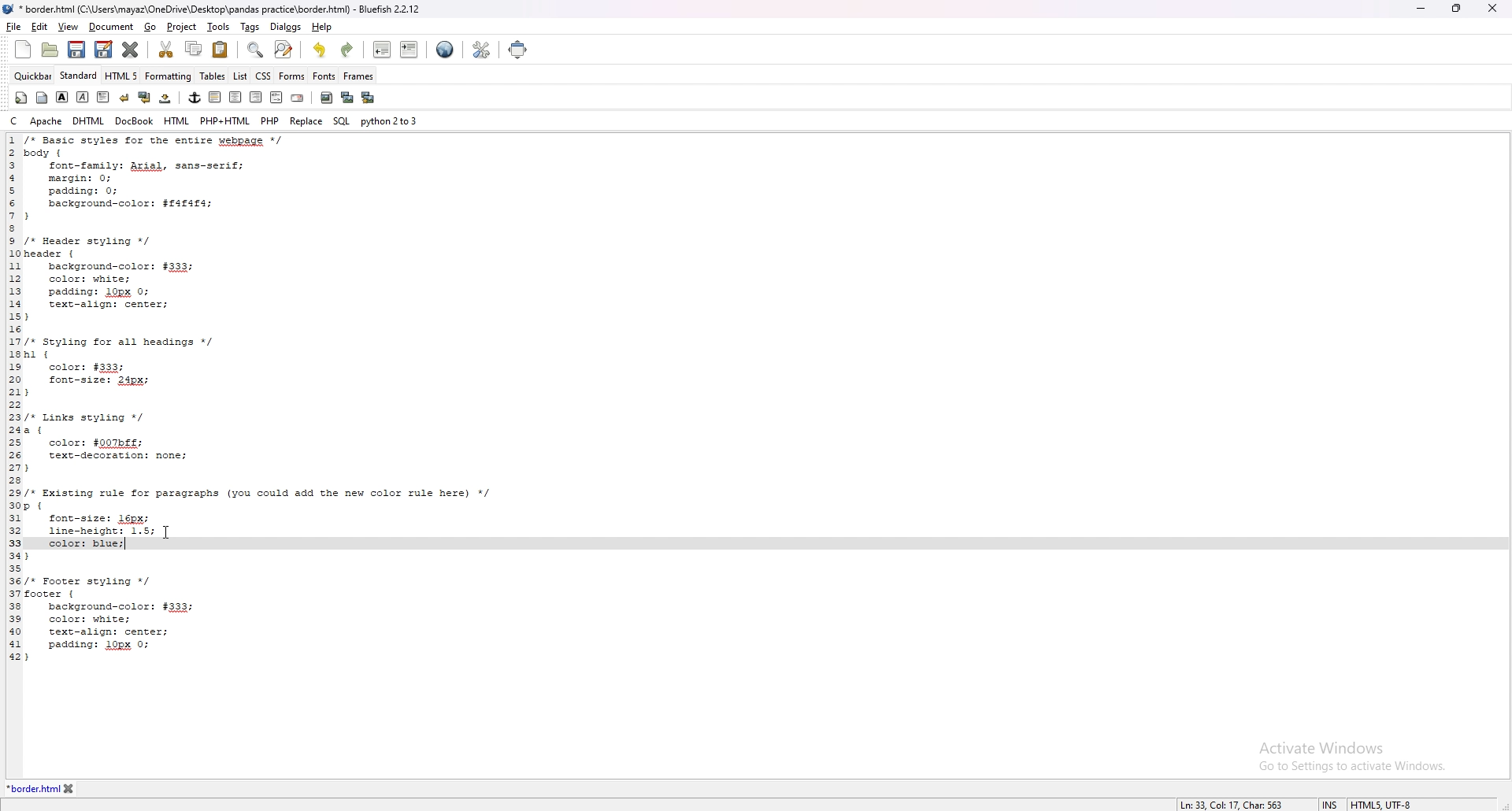 The height and width of the screenshot is (811, 1512). I want to click on apache, so click(46, 120).